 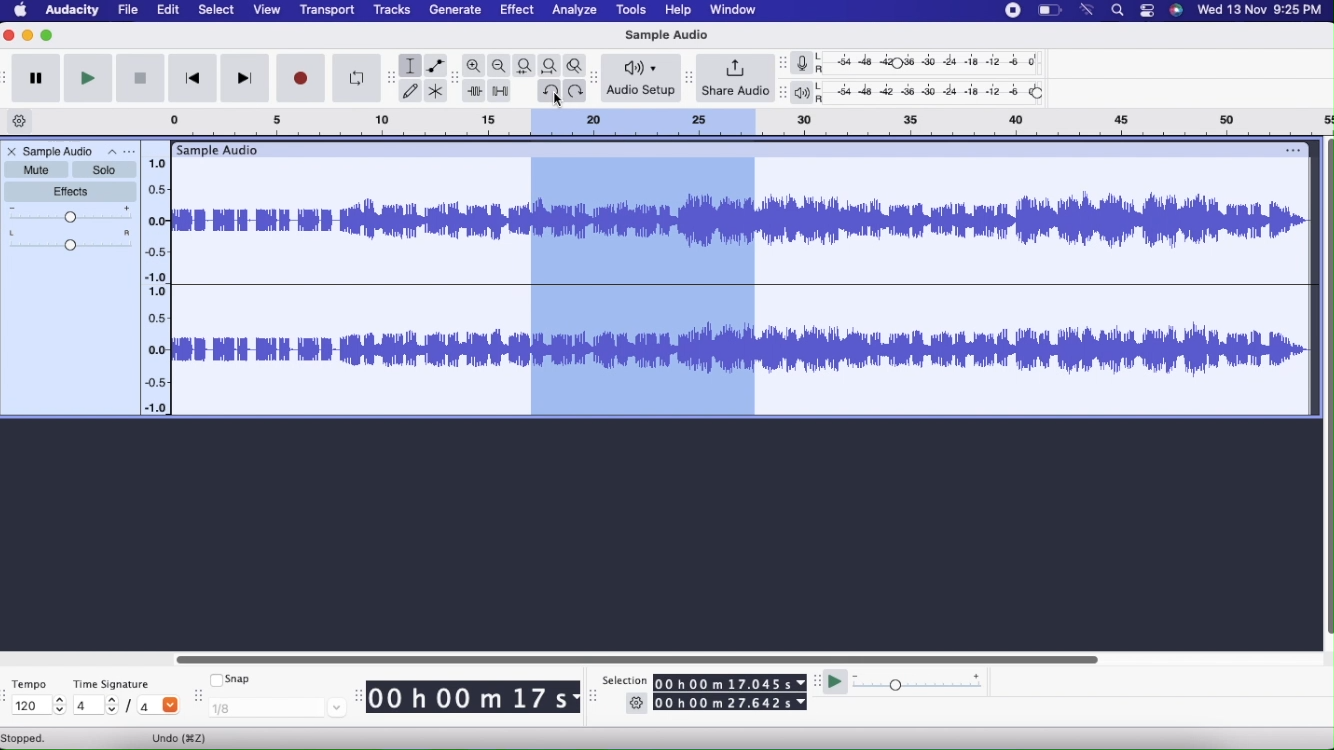 What do you see at coordinates (411, 92) in the screenshot?
I see `Draw tool` at bounding box center [411, 92].